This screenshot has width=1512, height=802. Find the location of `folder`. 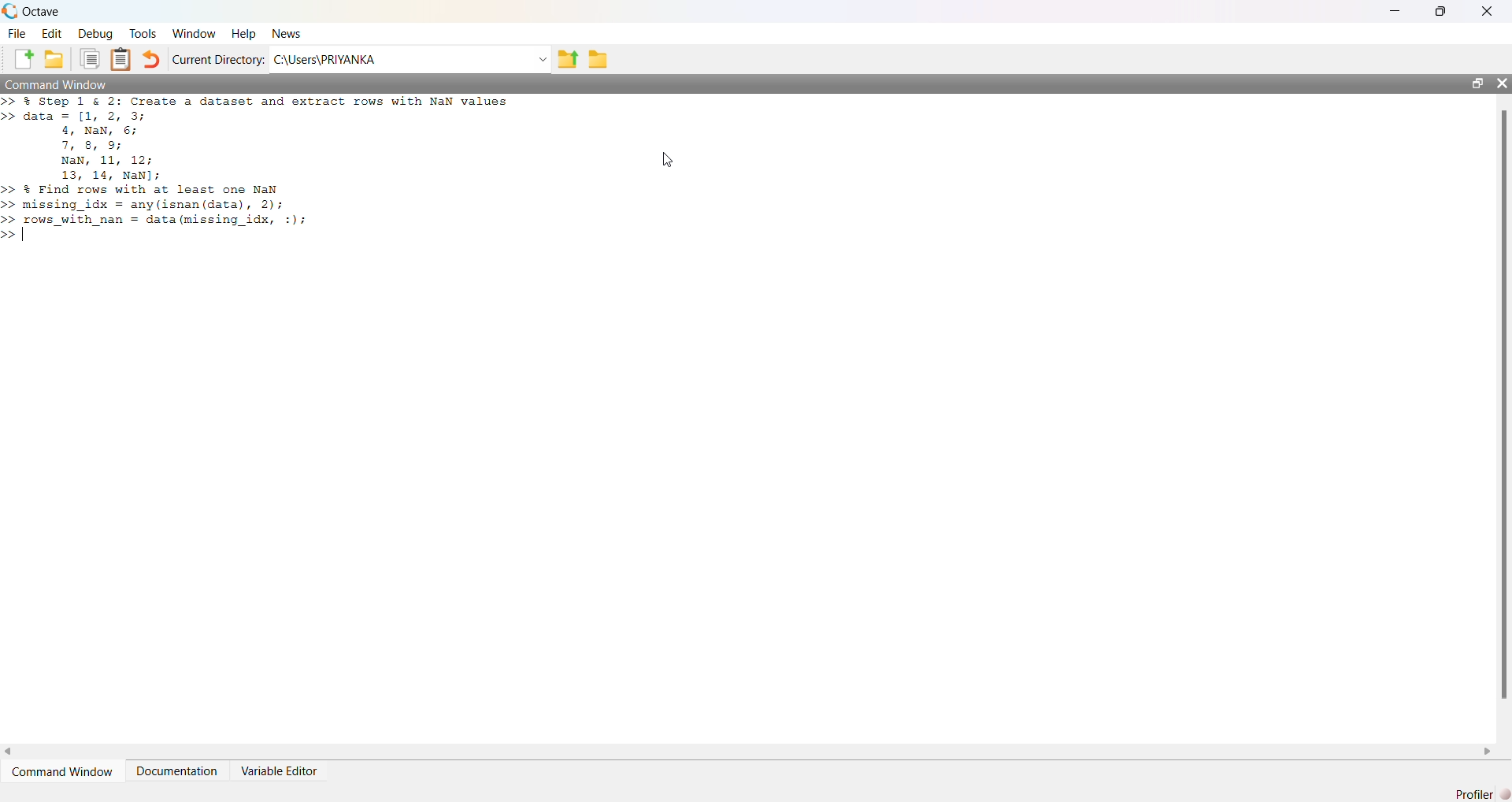

folder is located at coordinates (598, 60).